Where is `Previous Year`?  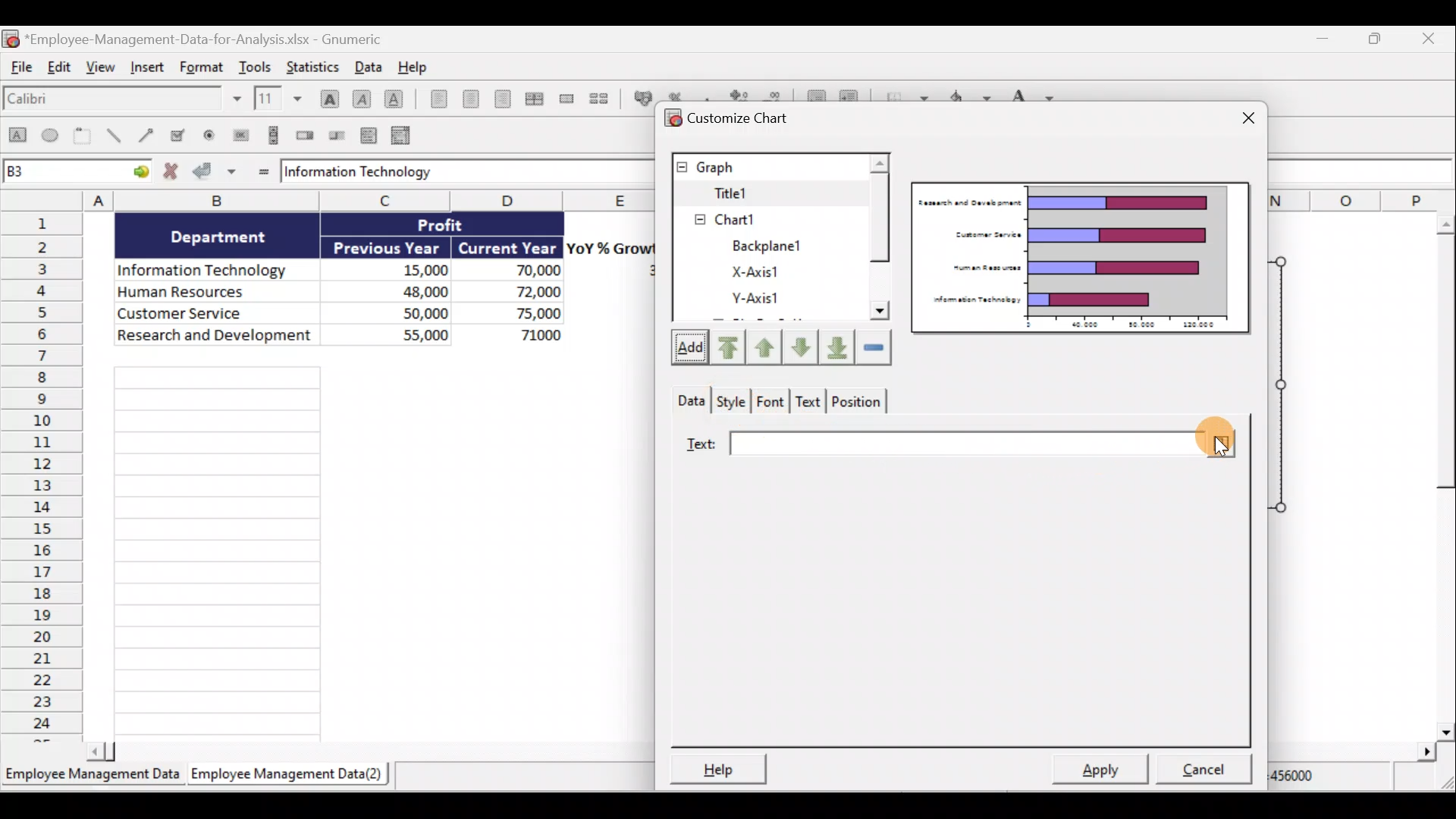
Previous Year is located at coordinates (388, 245).